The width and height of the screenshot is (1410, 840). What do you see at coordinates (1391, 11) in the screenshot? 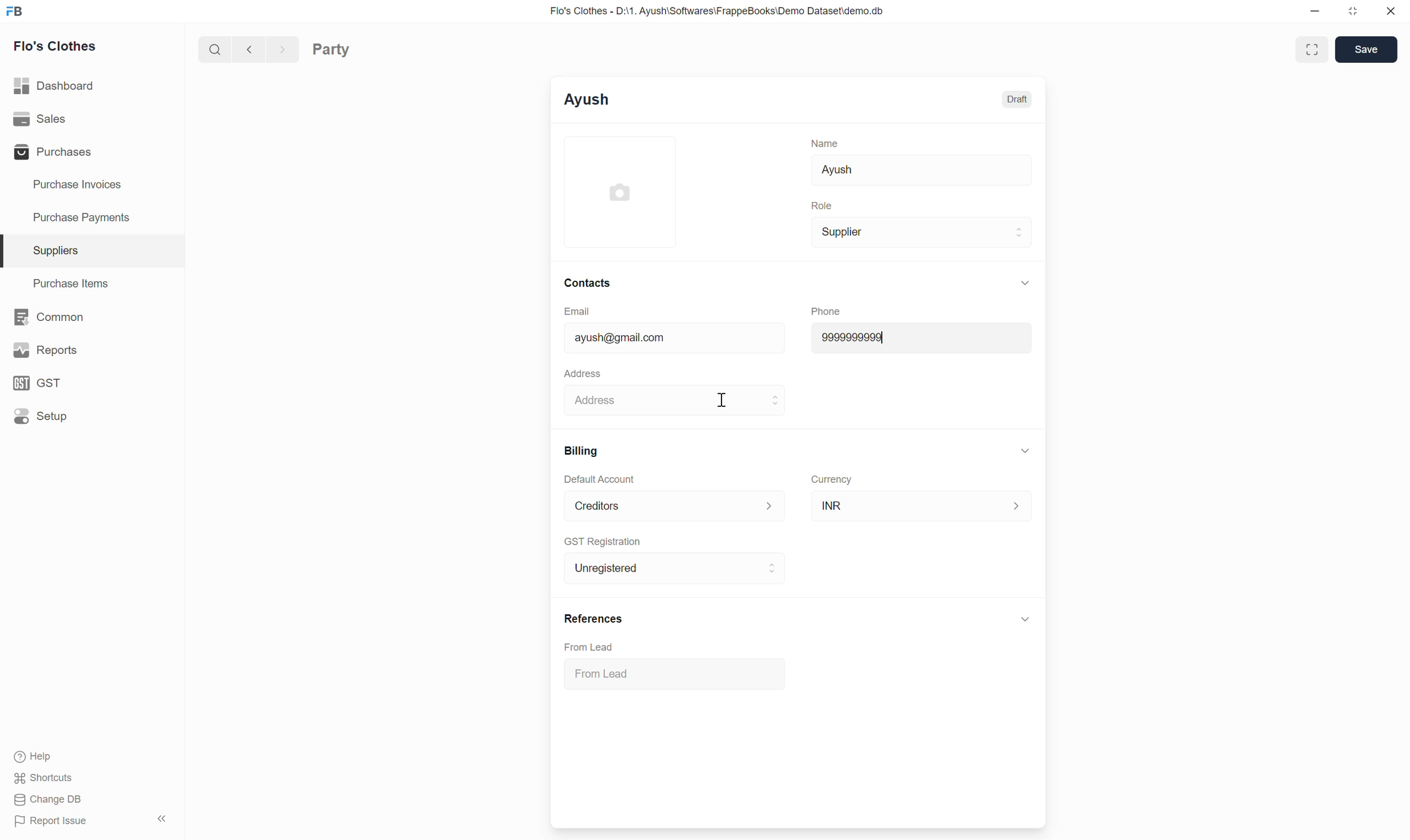
I see `Close` at bounding box center [1391, 11].